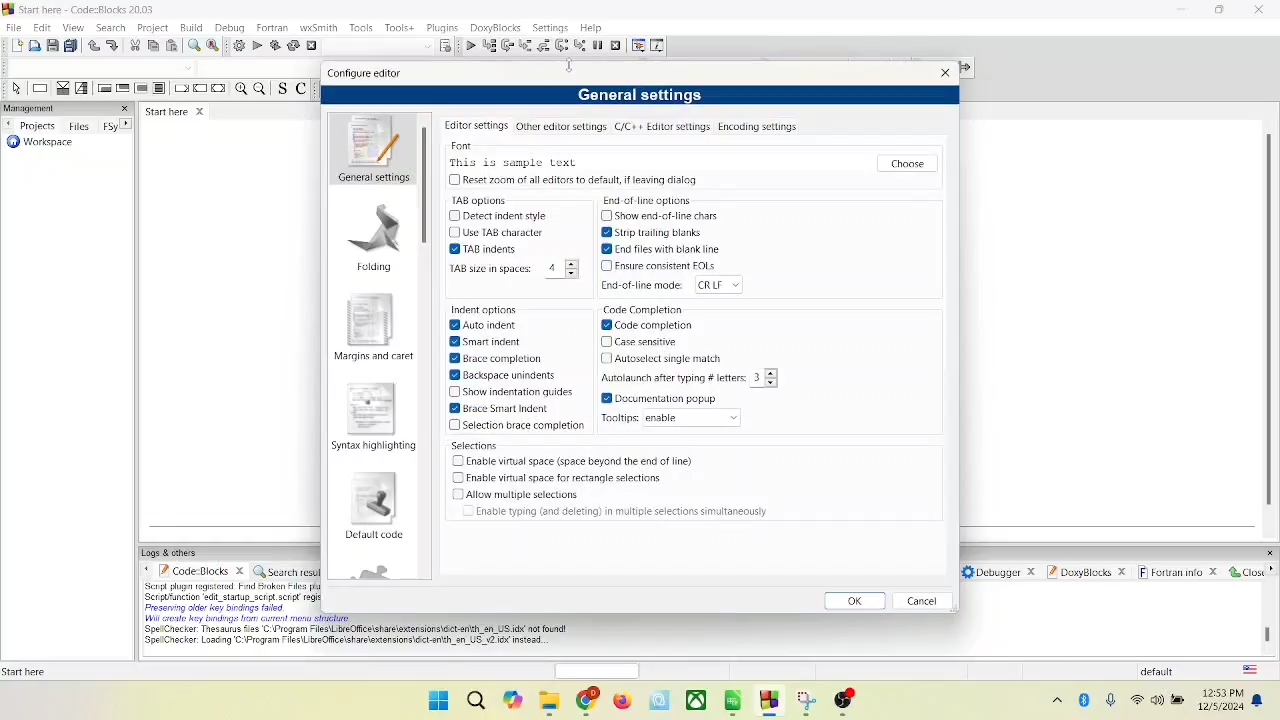  What do you see at coordinates (484, 308) in the screenshot?
I see `indent options` at bounding box center [484, 308].